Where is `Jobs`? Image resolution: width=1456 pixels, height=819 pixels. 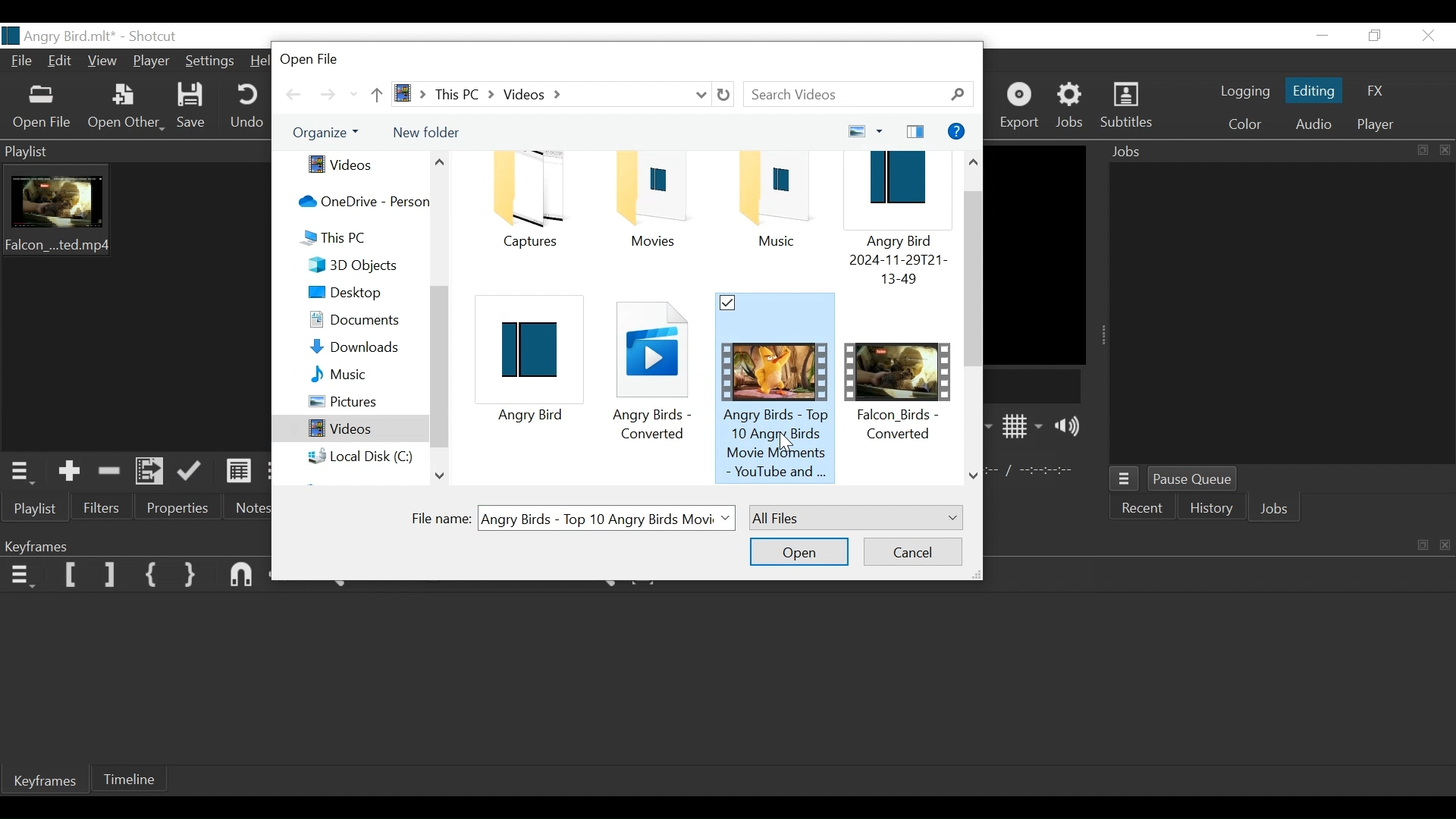 Jobs is located at coordinates (1275, 510).